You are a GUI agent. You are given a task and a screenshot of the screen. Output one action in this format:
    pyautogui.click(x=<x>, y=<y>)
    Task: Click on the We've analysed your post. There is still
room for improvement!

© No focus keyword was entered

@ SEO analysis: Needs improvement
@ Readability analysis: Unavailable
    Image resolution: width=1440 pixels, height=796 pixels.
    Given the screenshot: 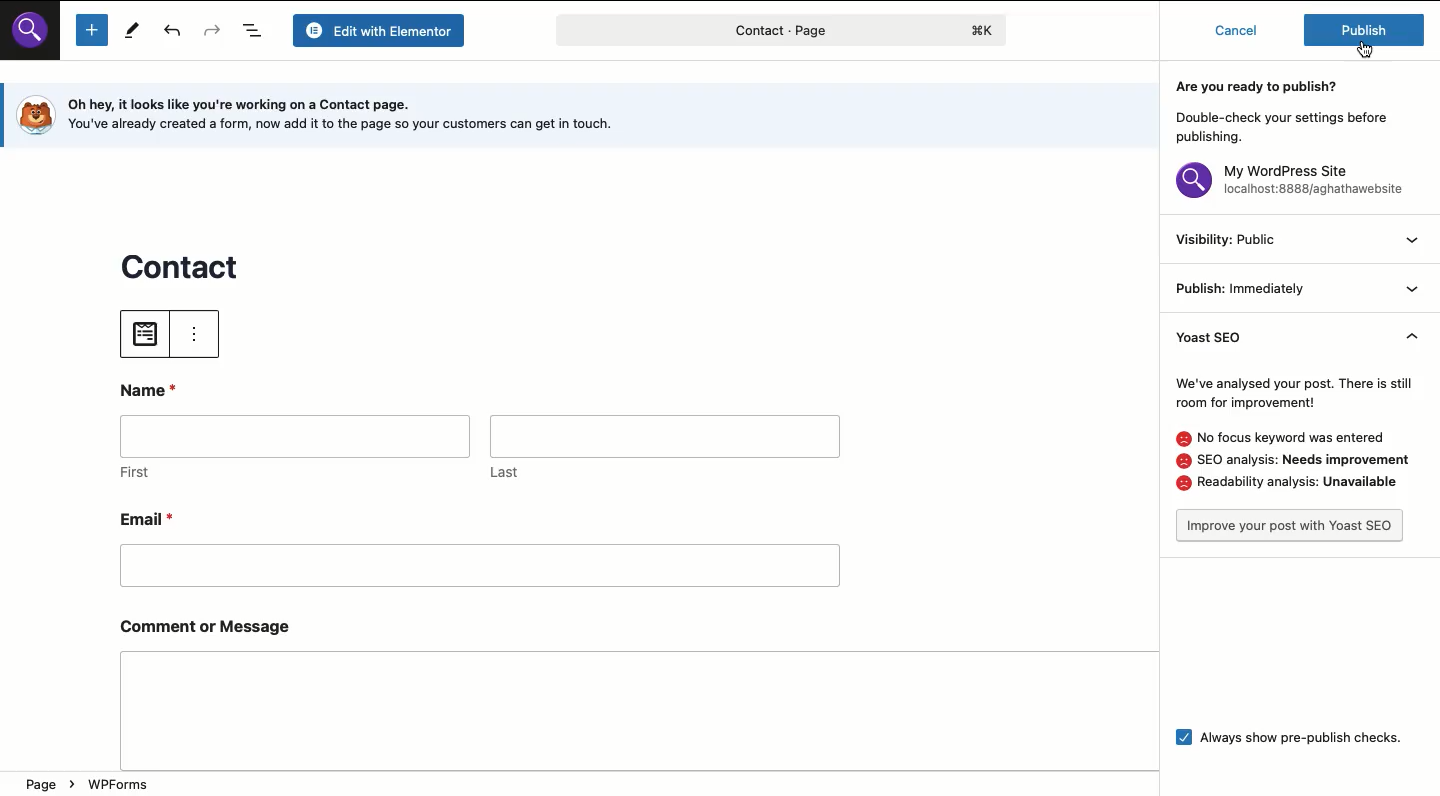 What is the action you would take?
    pyautogui.click(x=1291, y=432)
    